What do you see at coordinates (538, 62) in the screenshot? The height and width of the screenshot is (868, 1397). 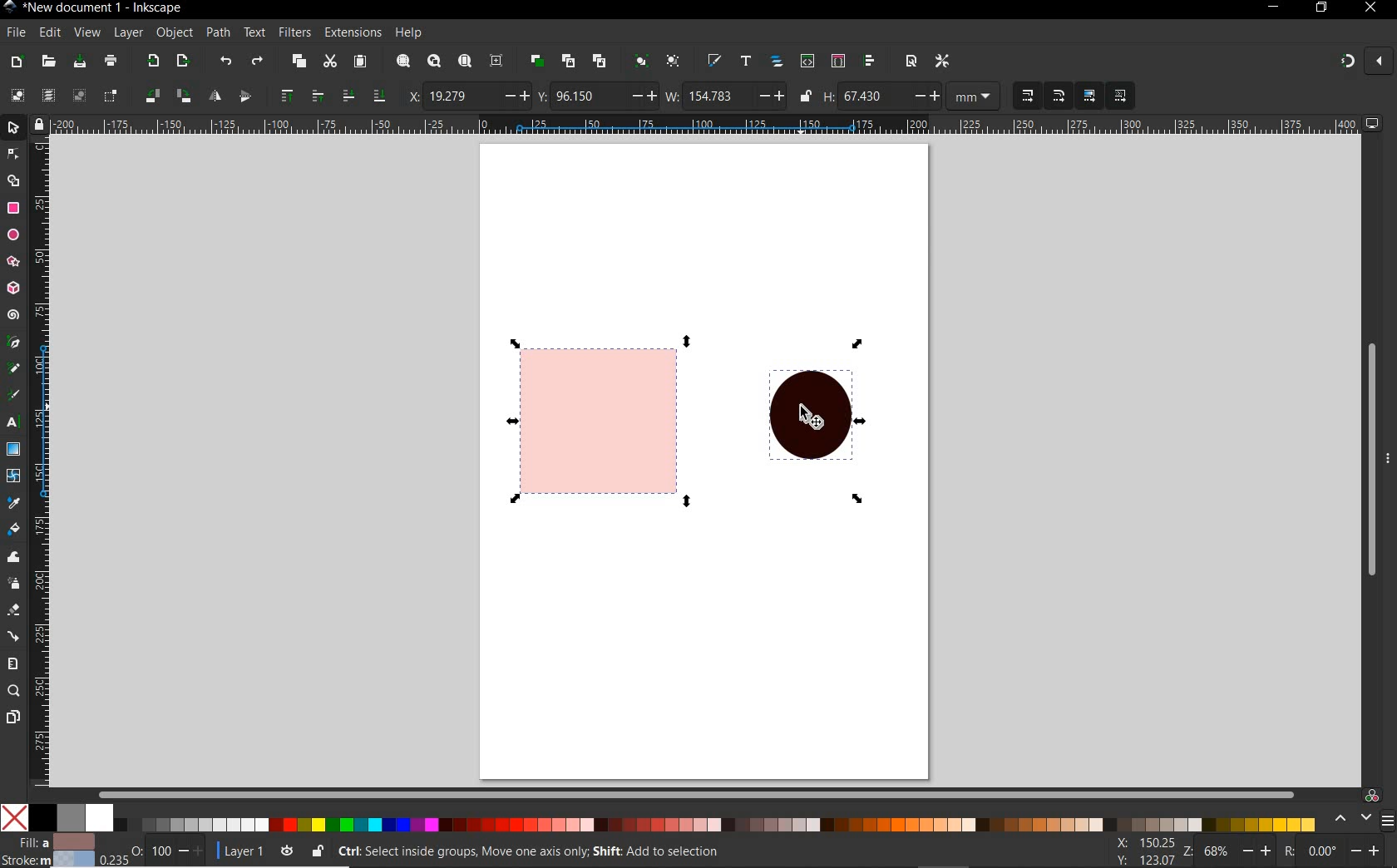 I see `duplicate` at bounding box center [538, 62].